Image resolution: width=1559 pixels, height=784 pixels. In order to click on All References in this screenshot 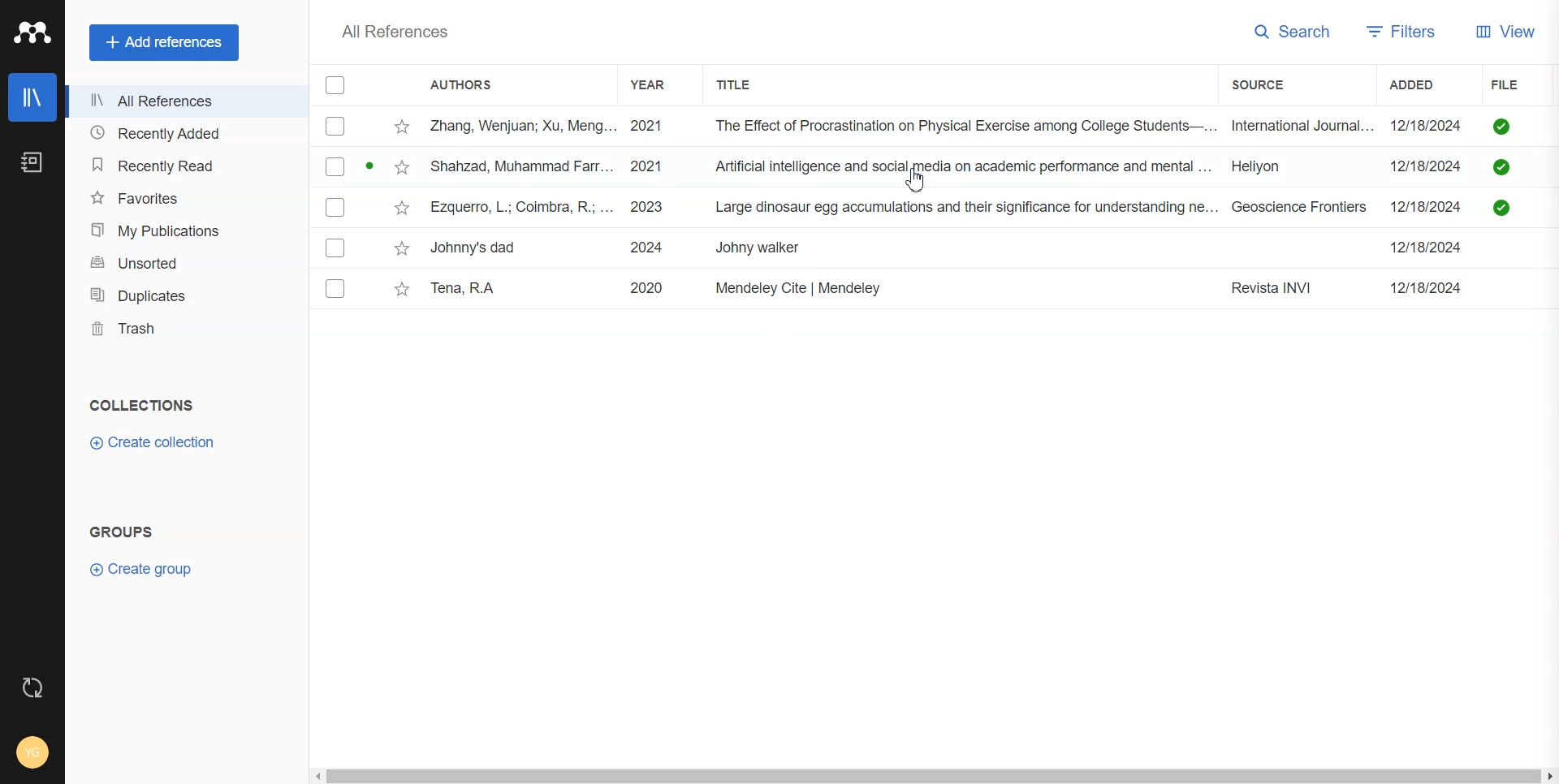, I will do `click(396, 32)`.